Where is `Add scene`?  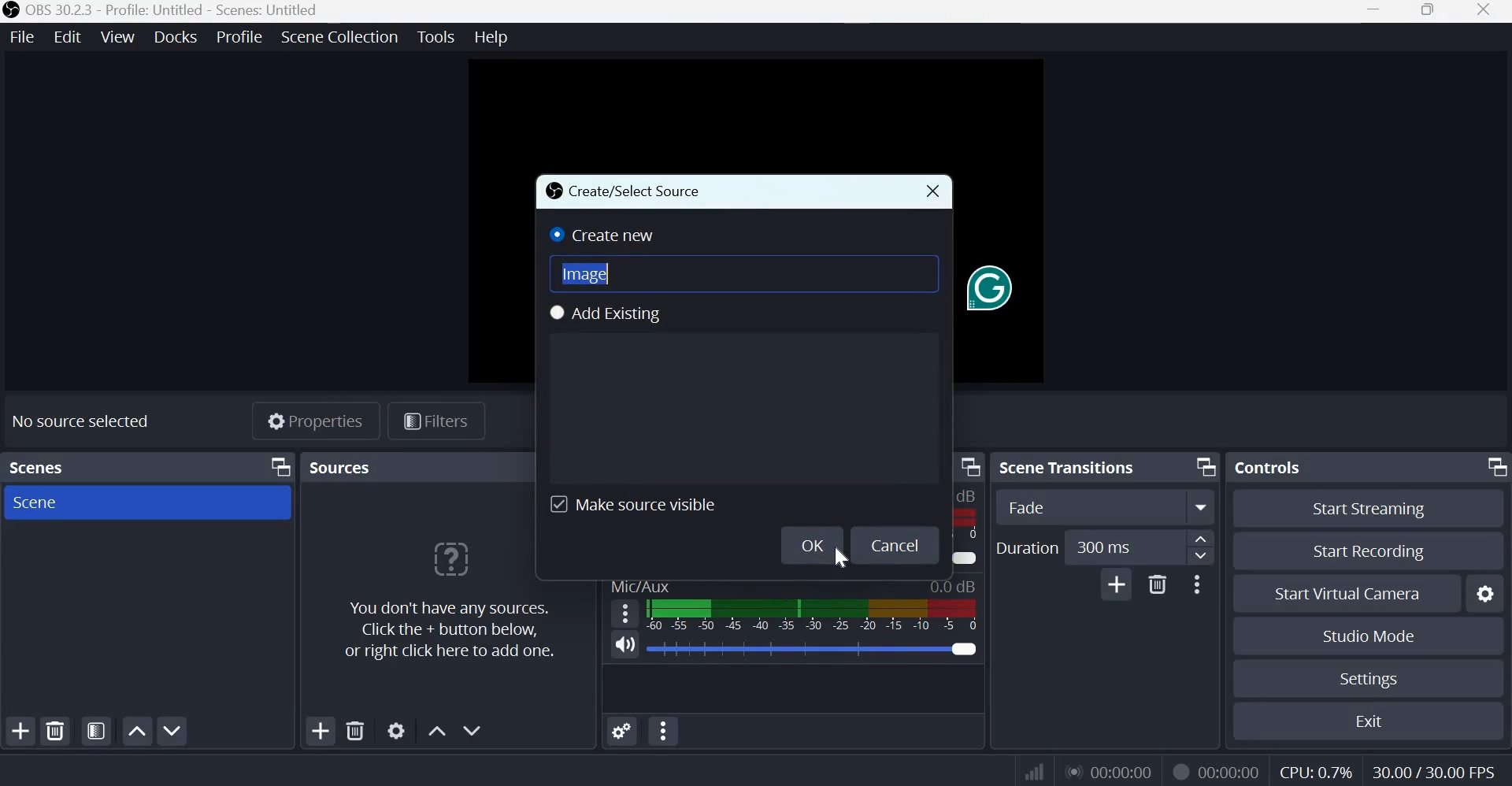 Add scene is located at coordinates (24, 730).